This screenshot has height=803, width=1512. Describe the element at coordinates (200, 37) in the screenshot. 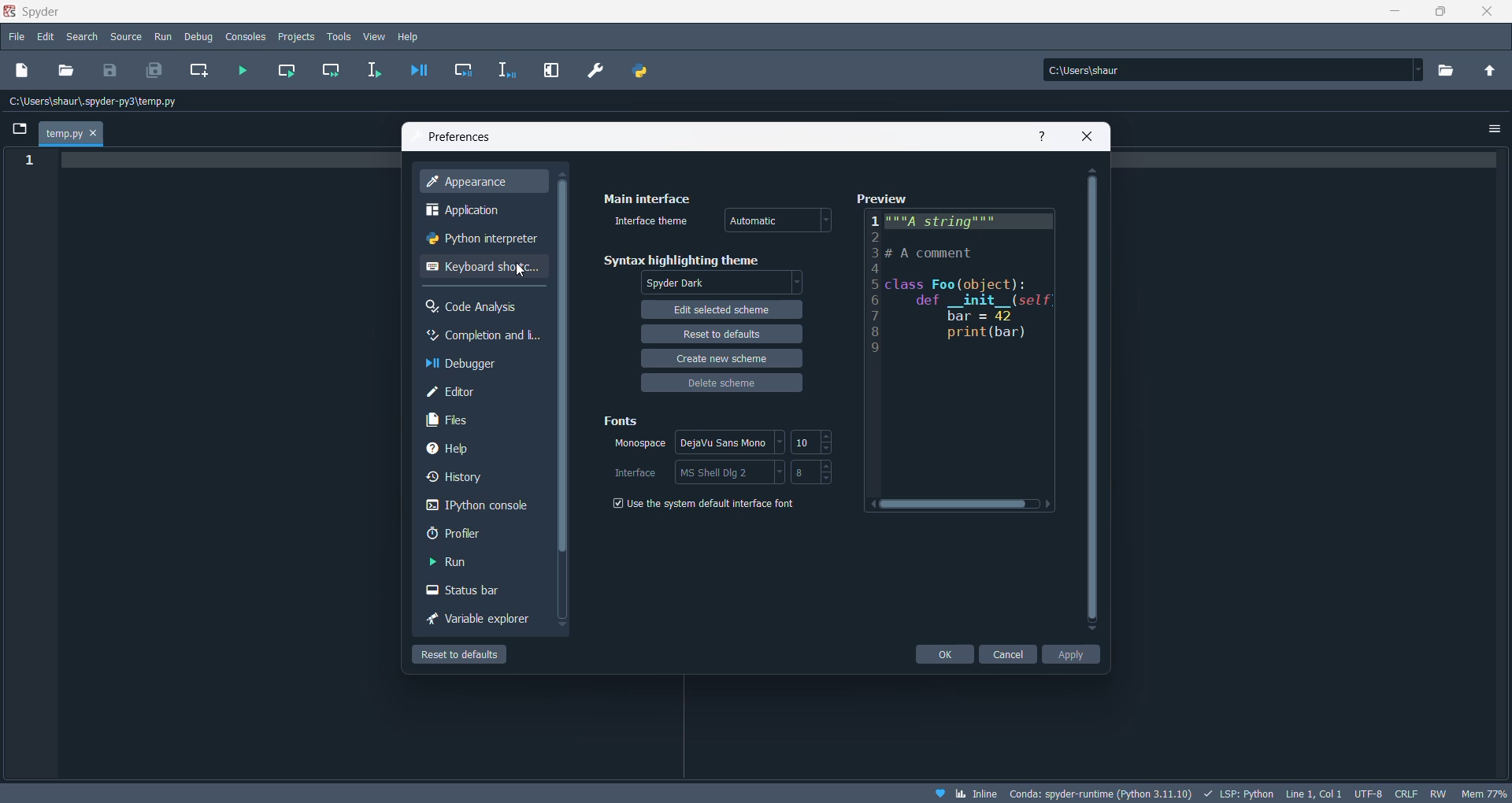

I see `debug` at that location.